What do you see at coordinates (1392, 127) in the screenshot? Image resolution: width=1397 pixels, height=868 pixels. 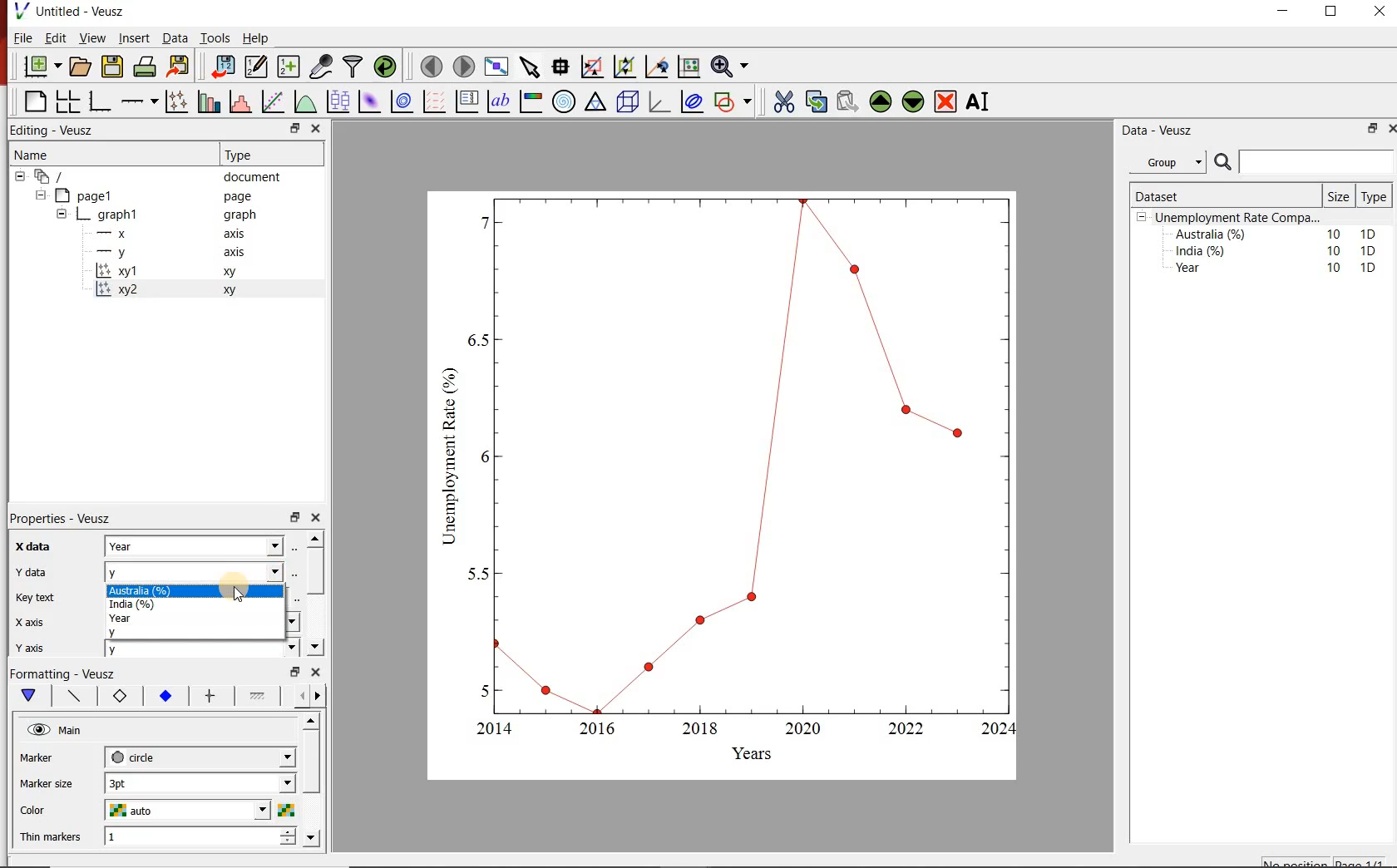 I see `close` at bounding box center [1392, 127].